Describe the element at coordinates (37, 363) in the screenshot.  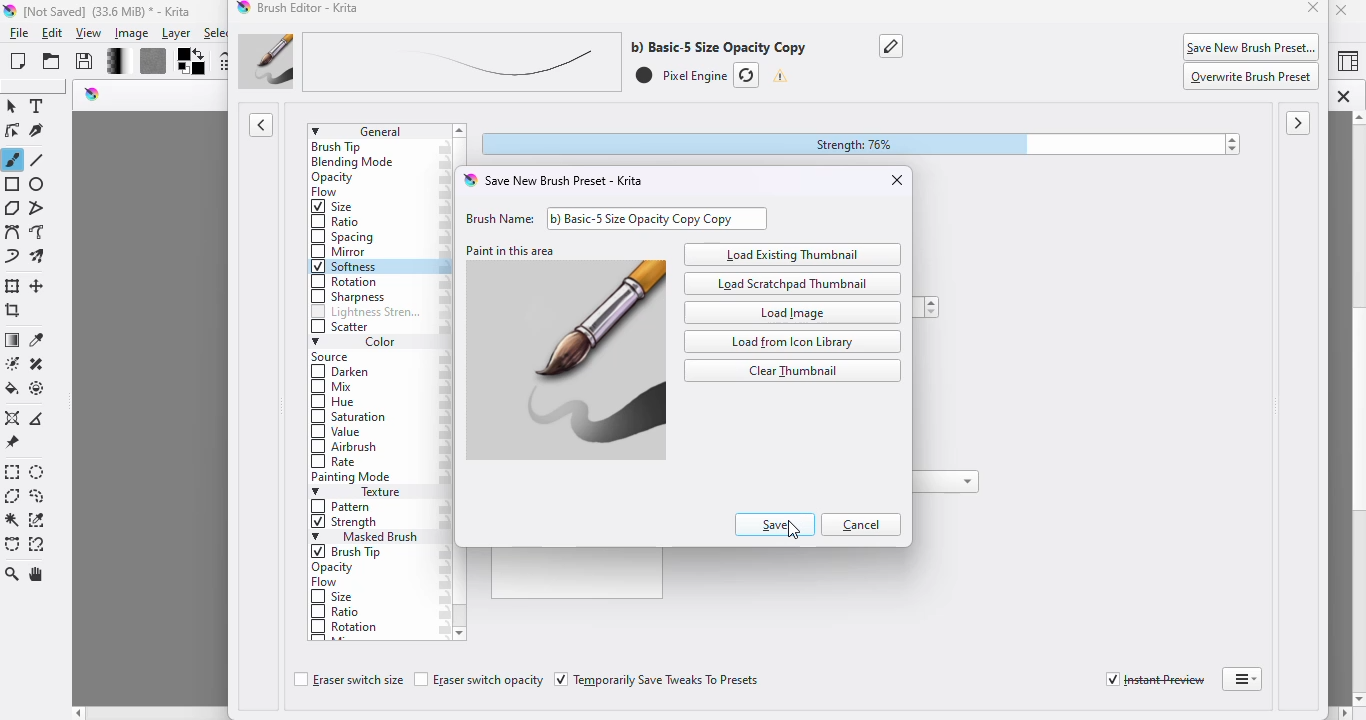
I see `smart patch tool` at that location.